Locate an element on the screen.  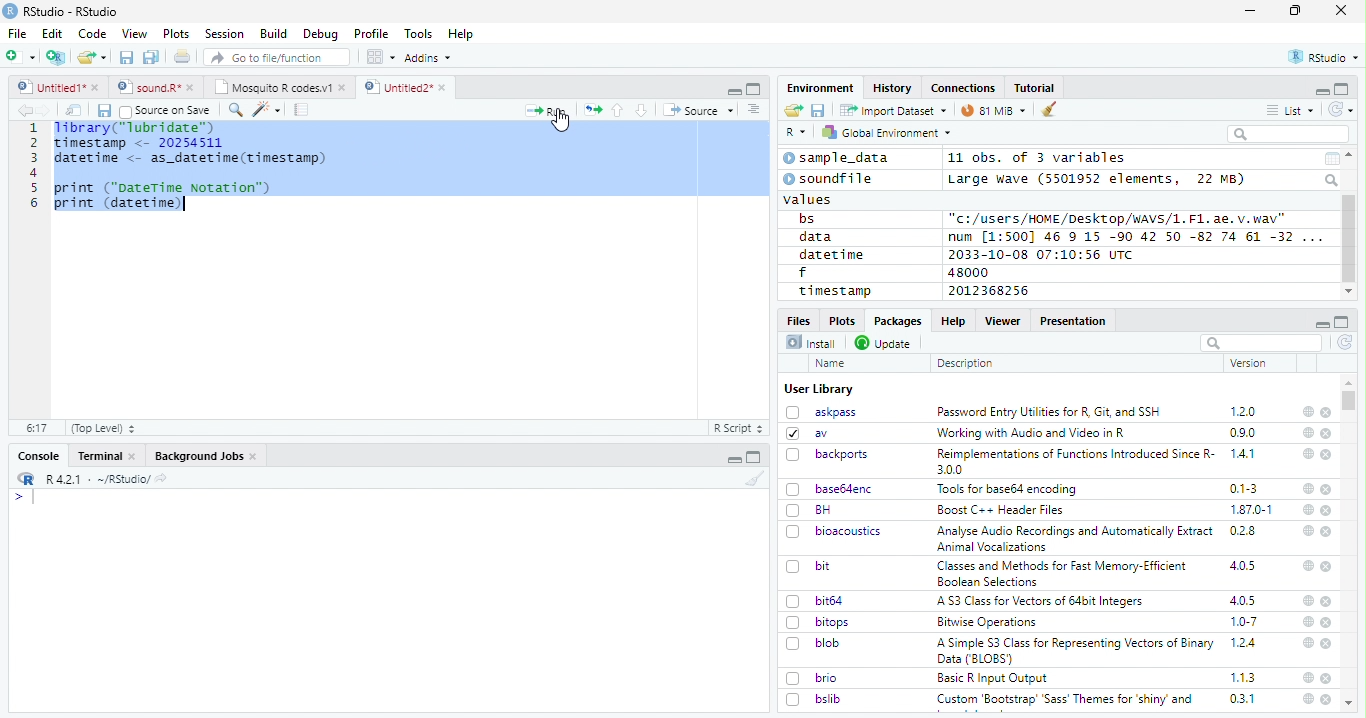
Boost C++ Header Files is located at coordinates (998, 511).